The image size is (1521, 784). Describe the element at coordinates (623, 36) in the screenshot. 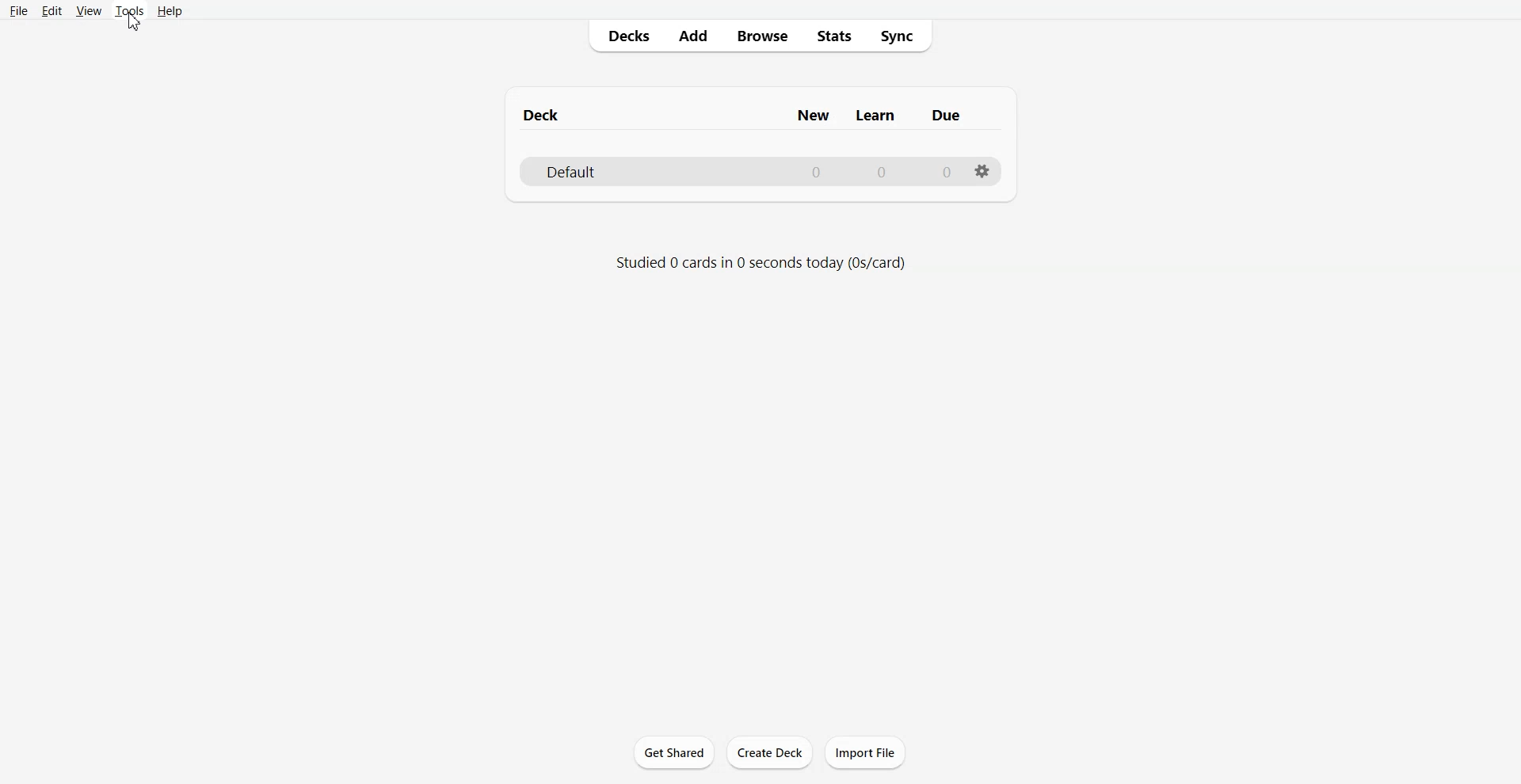

I see `Decks` at that location.